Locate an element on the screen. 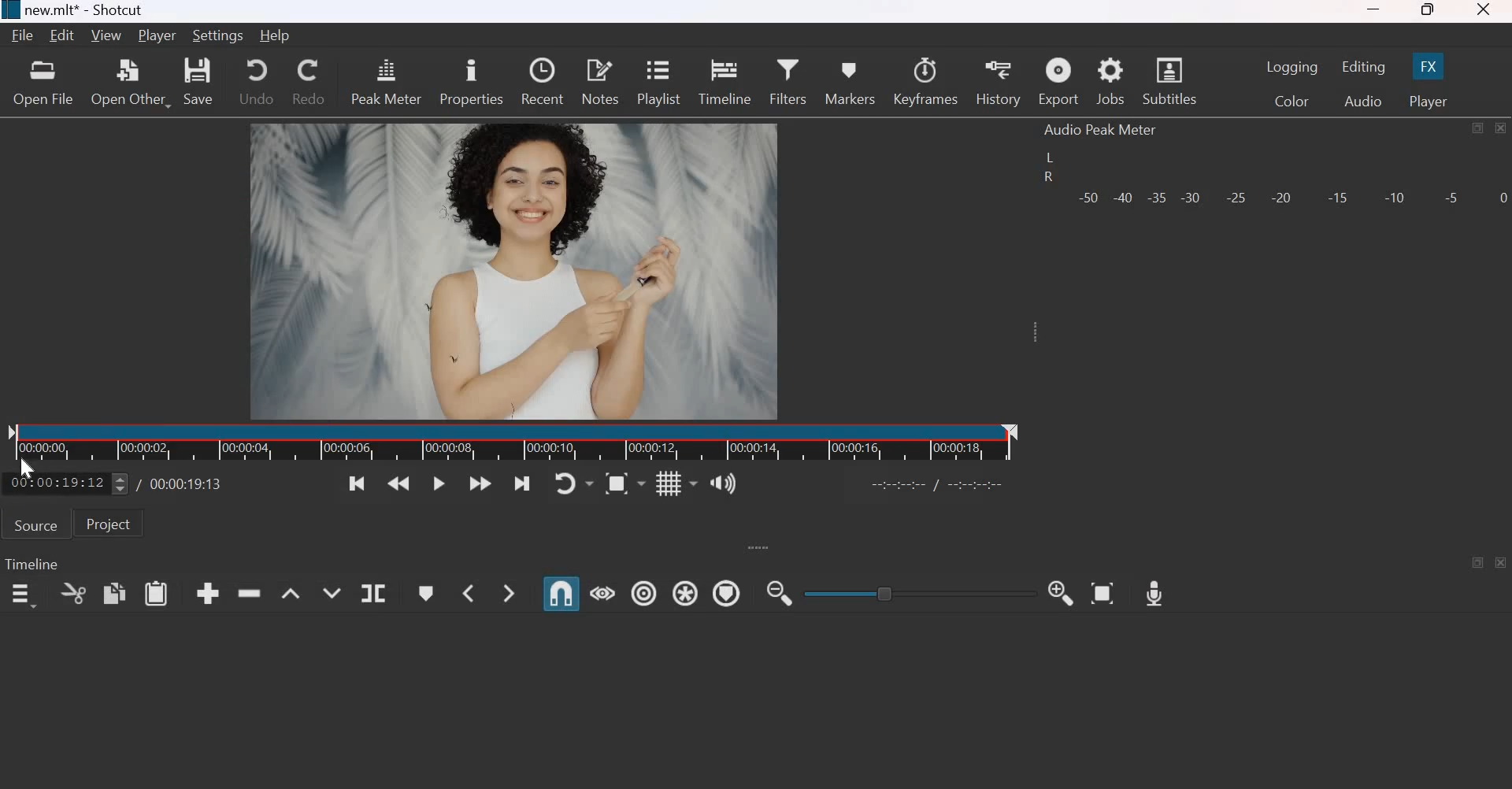 The height and width of the screenshot is (789, 1512). Total duration is located at coordinates (180, 482).